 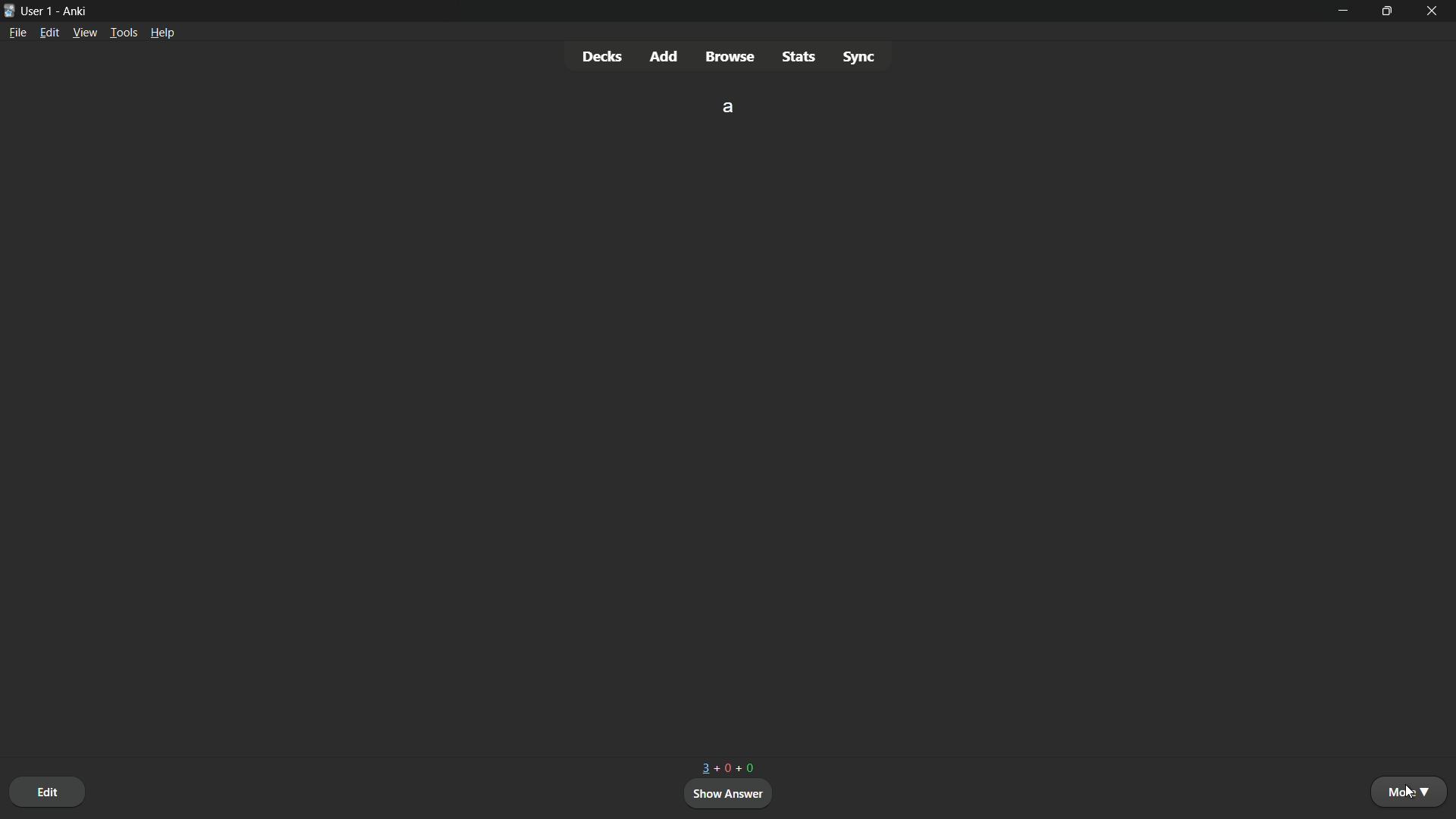 What do you see at coordinates (731, 57) in the screenshot?
I see `browse` at bounding box center [731, 57].